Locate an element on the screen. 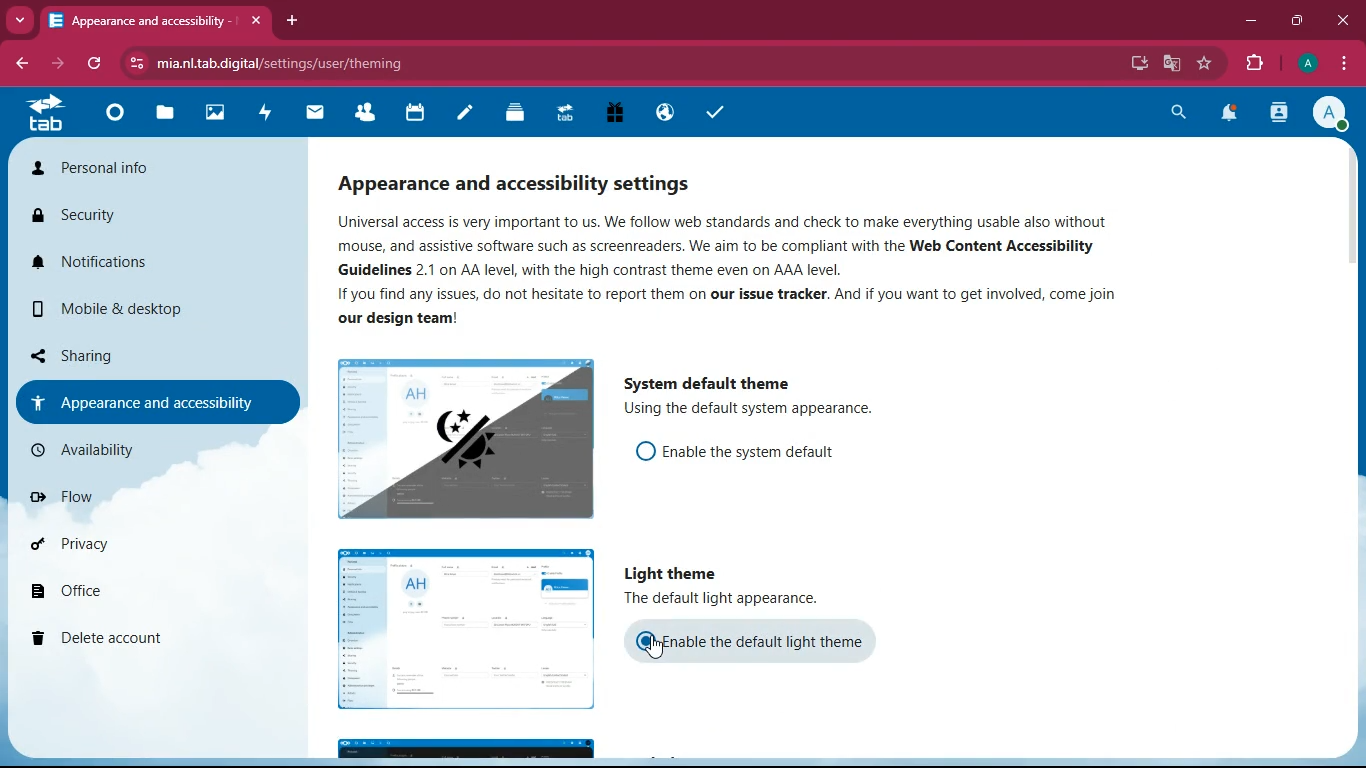 The width and height of the screenshot is (1366, 768). enable is located at coordinates (766, 642).